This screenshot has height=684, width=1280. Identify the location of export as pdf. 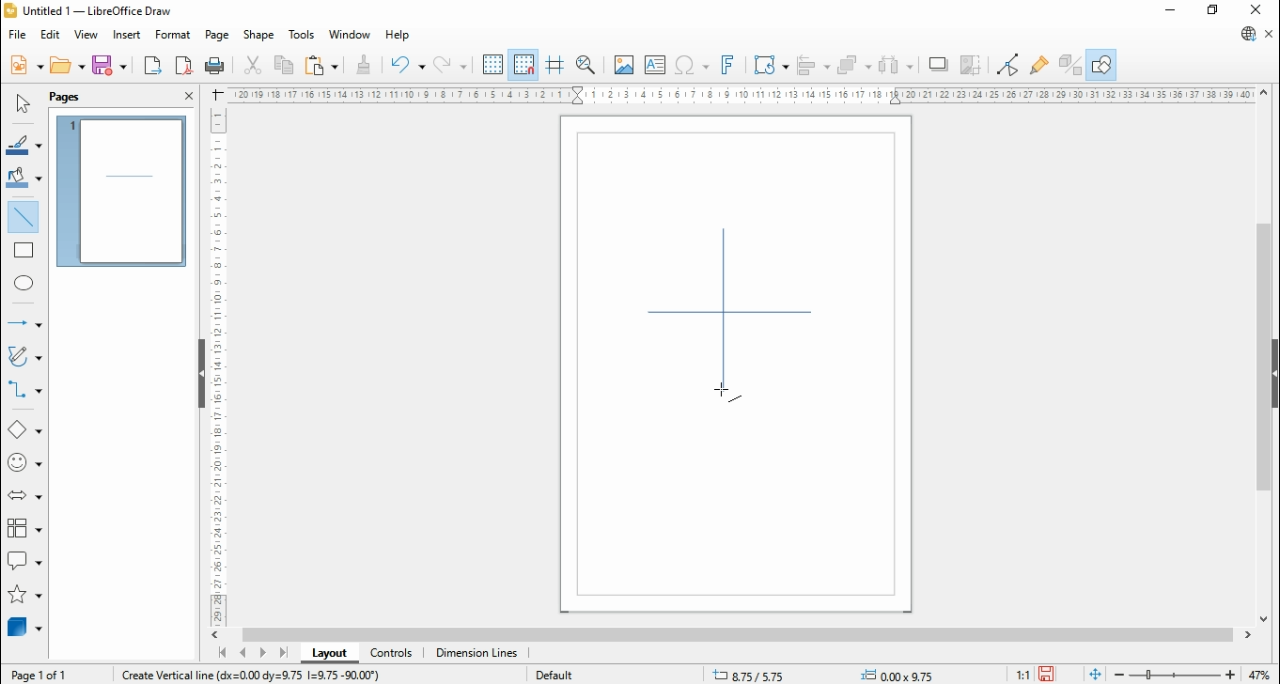
(185, 66).